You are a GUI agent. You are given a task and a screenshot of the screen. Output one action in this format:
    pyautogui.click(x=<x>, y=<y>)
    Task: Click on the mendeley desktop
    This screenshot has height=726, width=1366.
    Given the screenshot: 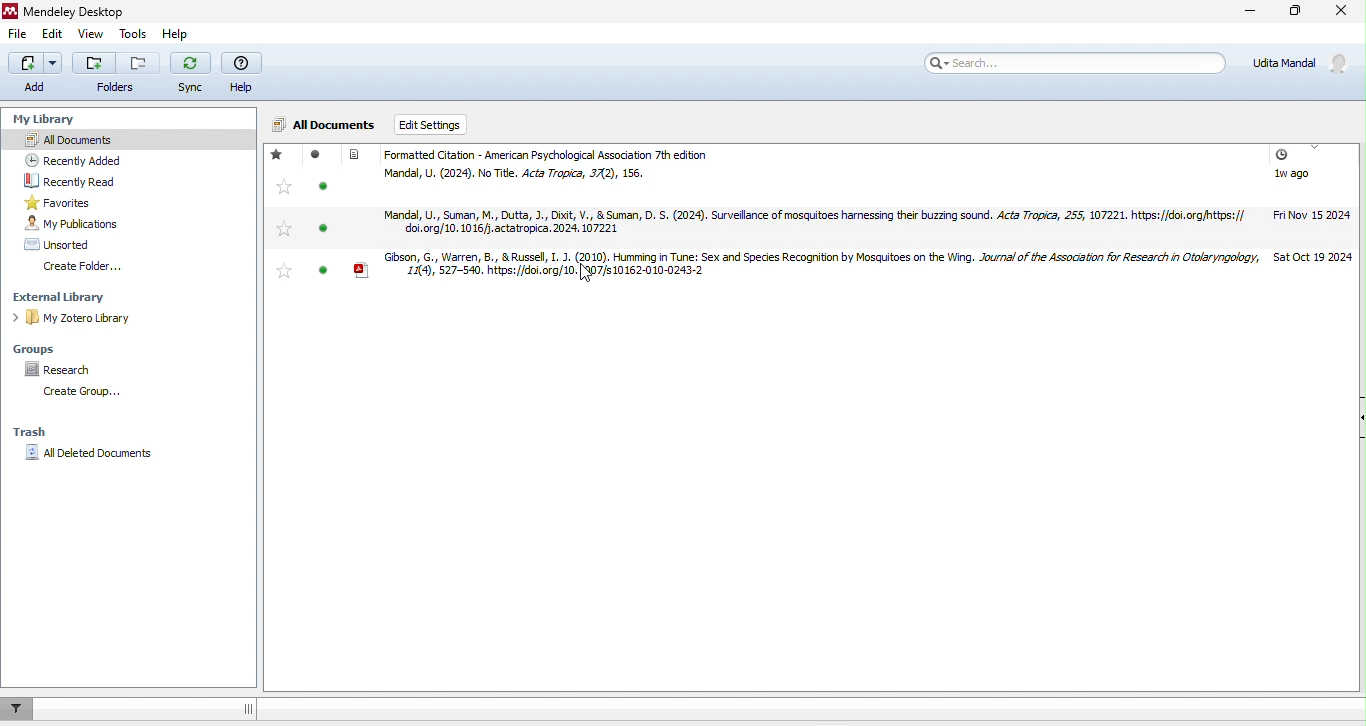 What is the action you would take?
    pyautogui.click(x=88, y=10)
    